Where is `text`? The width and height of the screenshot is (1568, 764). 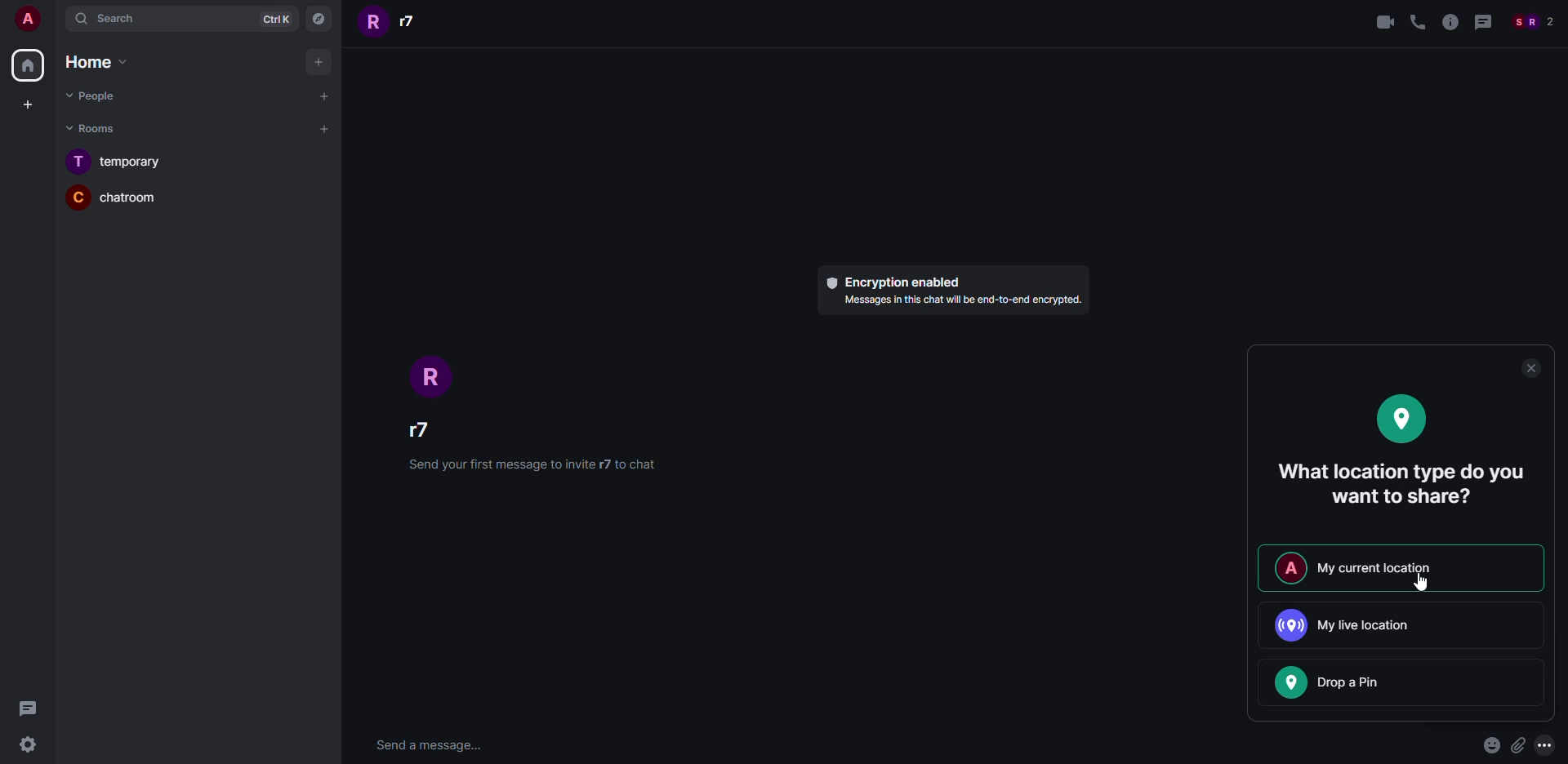 text is located at coordinates (960, 301).